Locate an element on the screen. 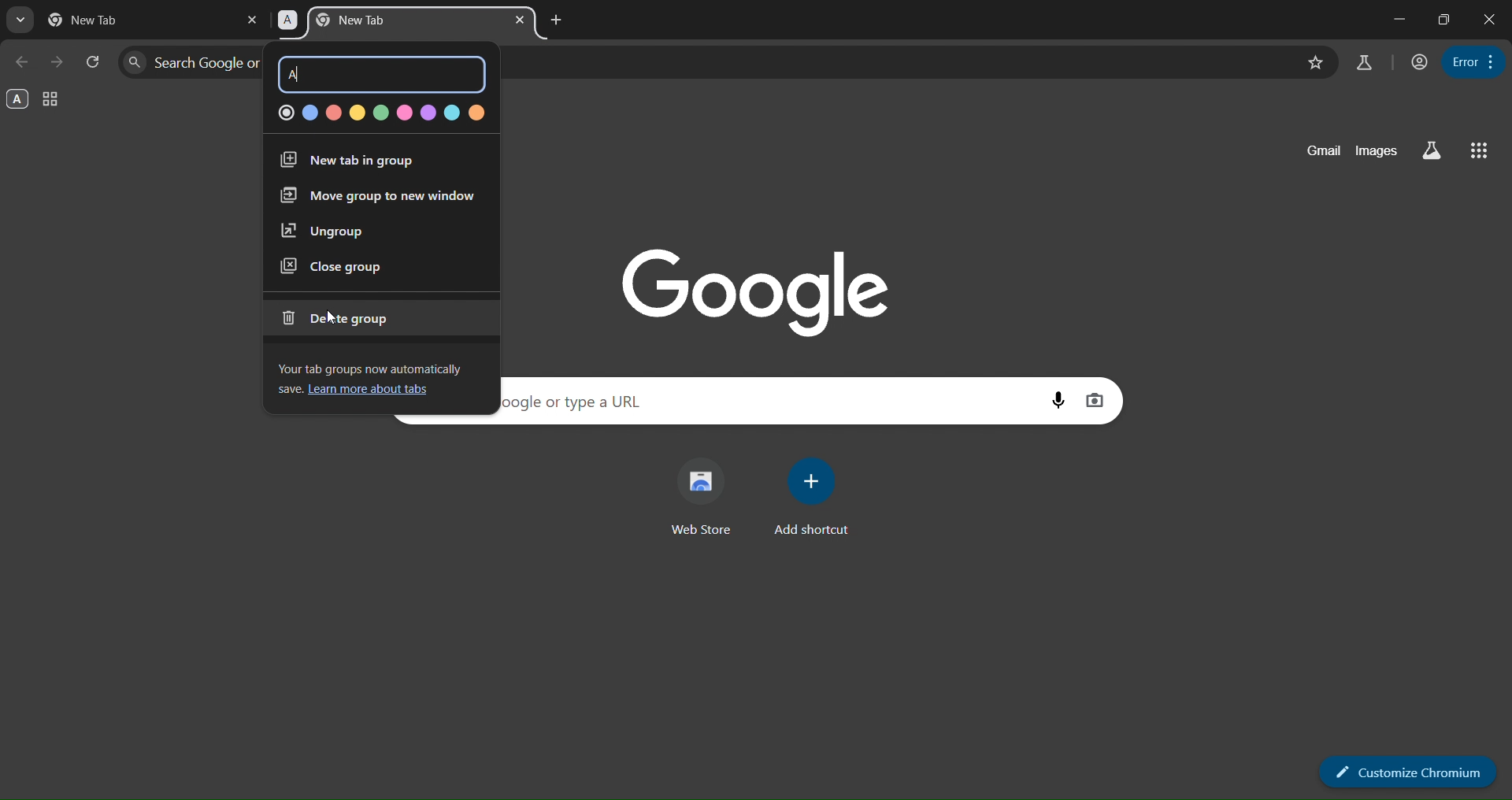 The height and width of the screenshot is (800, 1512). new tab in group is located at coordinates (350, 161).